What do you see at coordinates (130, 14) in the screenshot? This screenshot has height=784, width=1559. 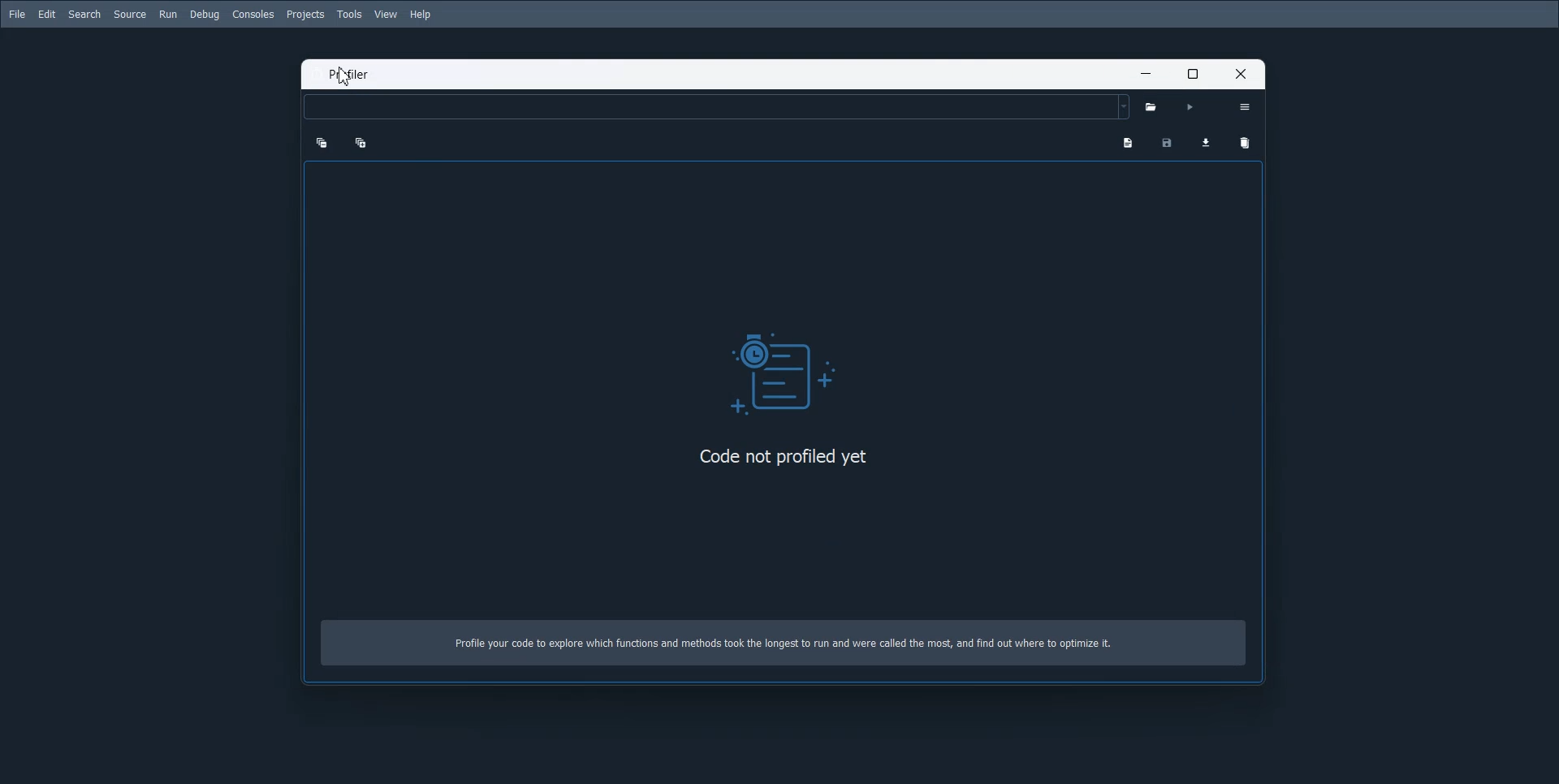 I see `Source` at bounding box center [130, 14].